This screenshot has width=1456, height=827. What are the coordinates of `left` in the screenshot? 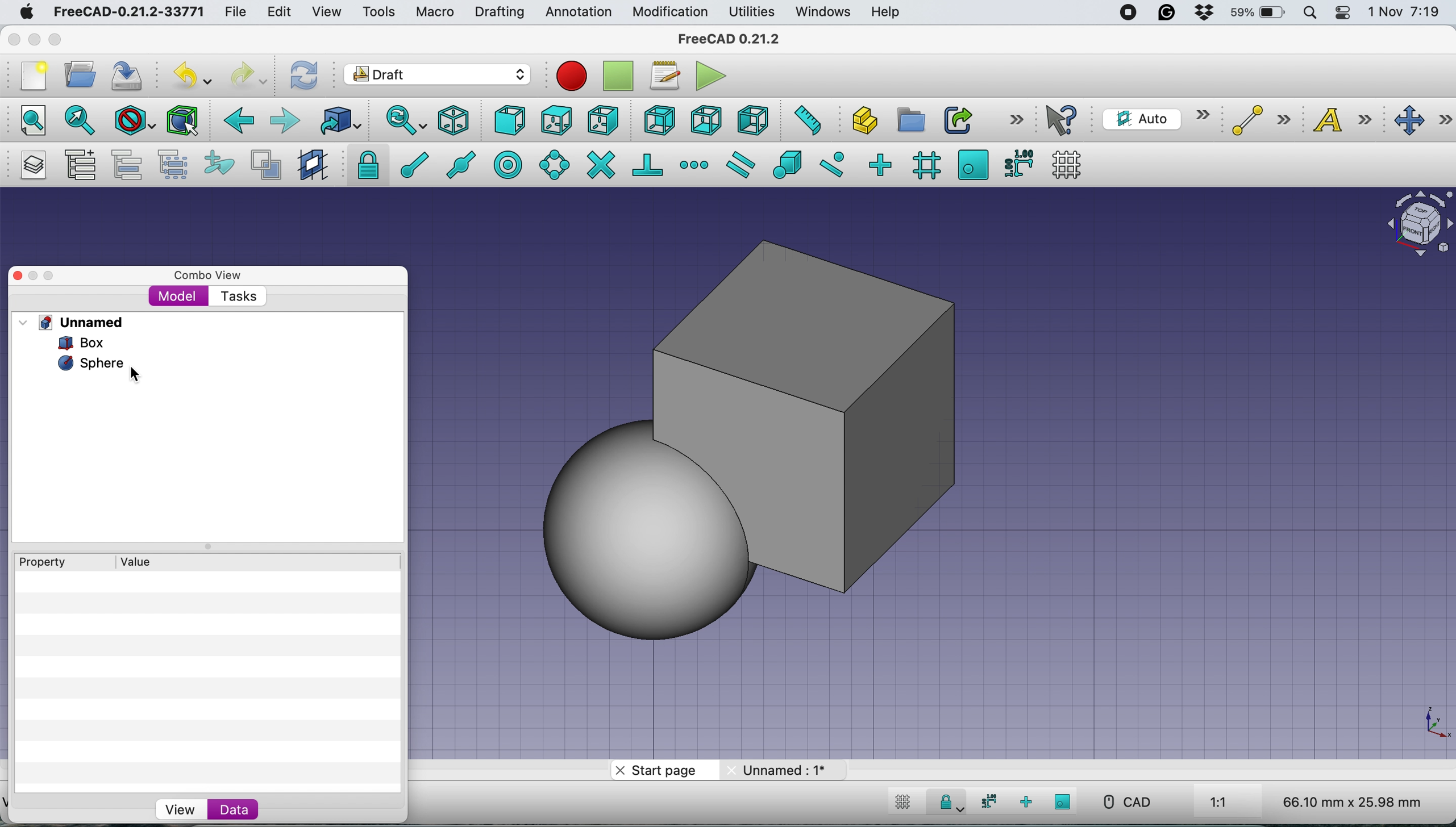 It's located at (752, 120).